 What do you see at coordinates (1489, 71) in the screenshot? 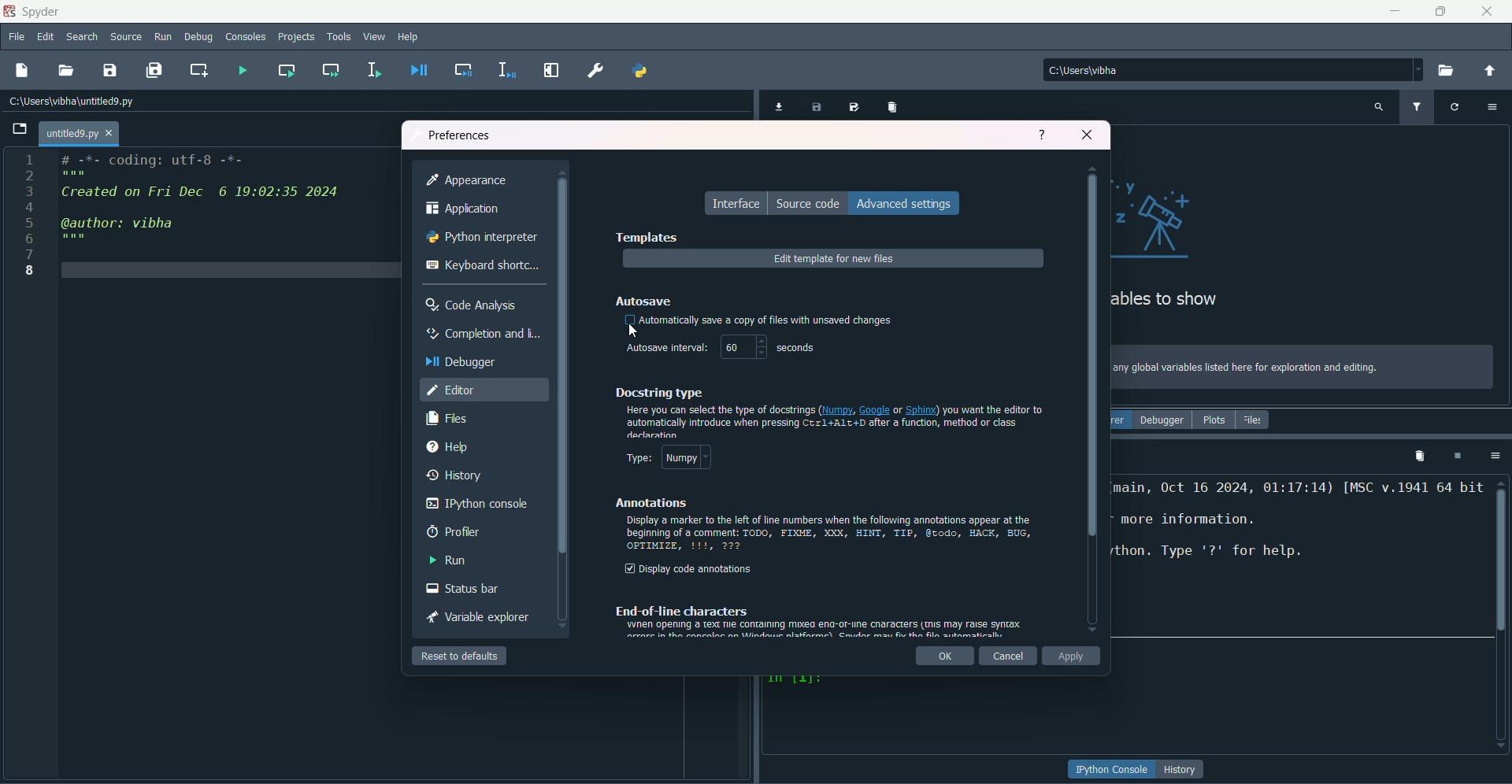
I see `change directory` at bounding box center [1489, 71].